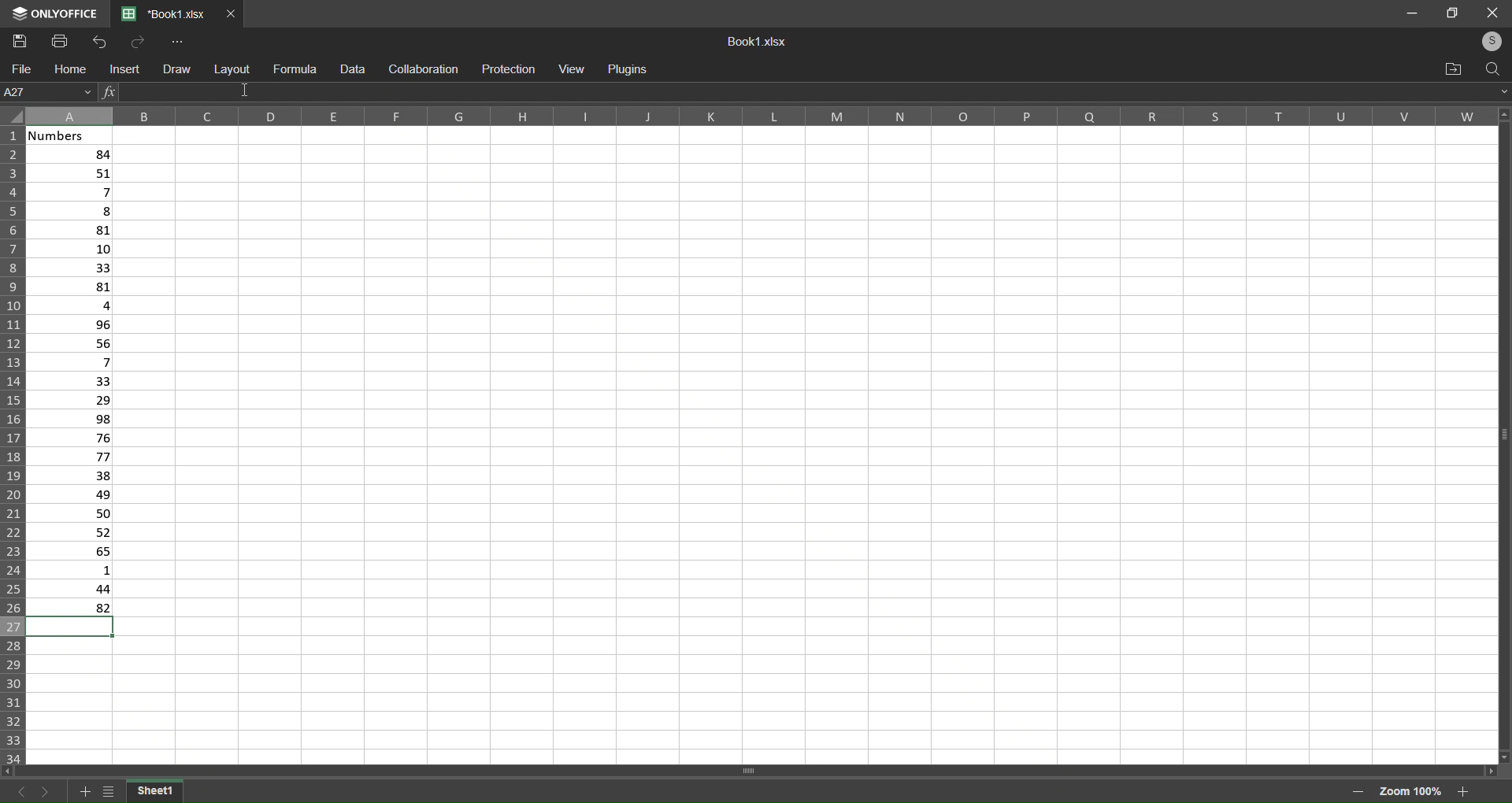  What do you see at coordinates (43, 790) in the screenshot?
I see `next` at bounding box center [43, 790].